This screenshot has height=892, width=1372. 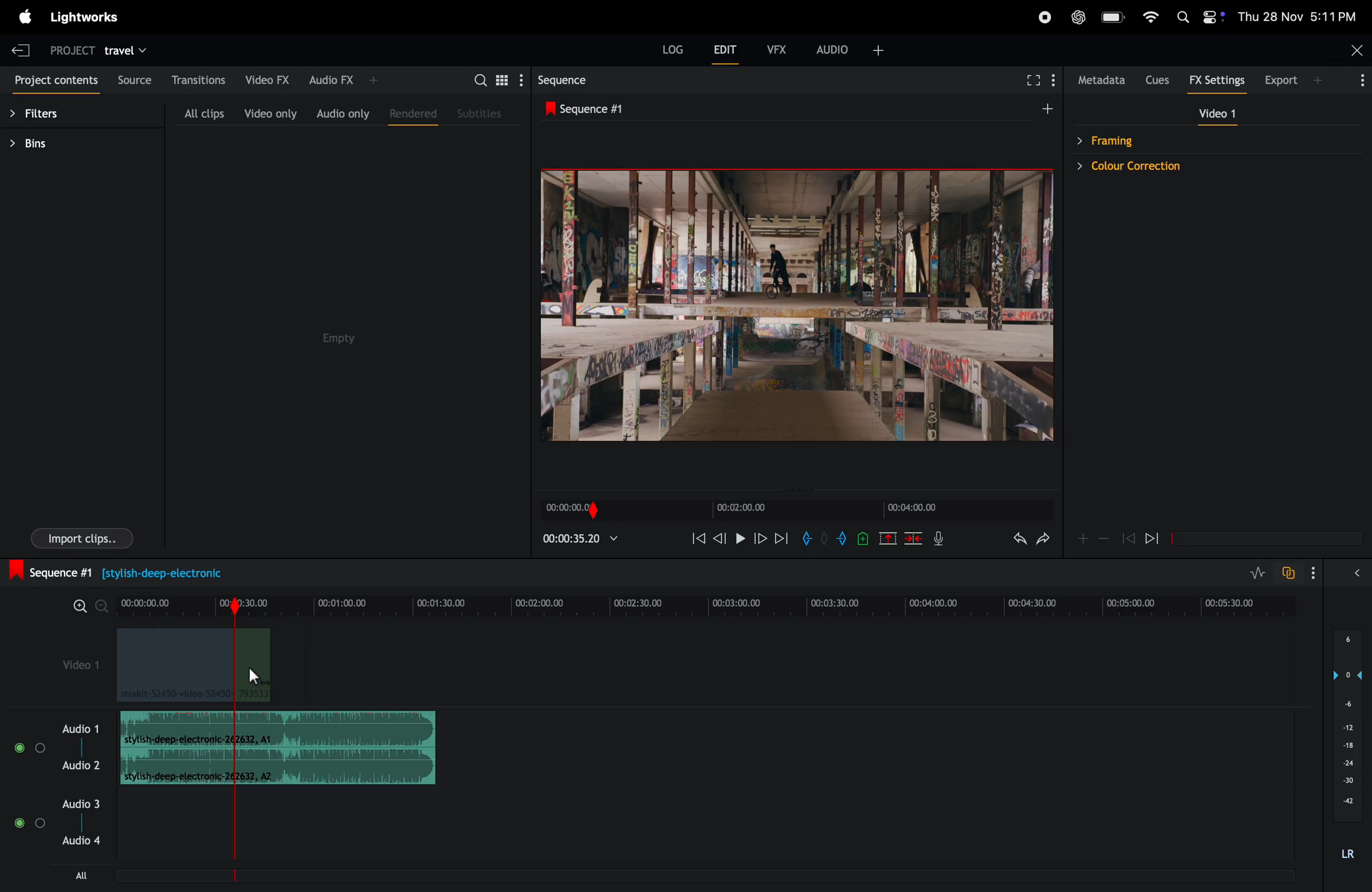 What do you see at coordinates (887, 541) in the screenshot?
I see `remove market section` at bounding box center [887, 541].